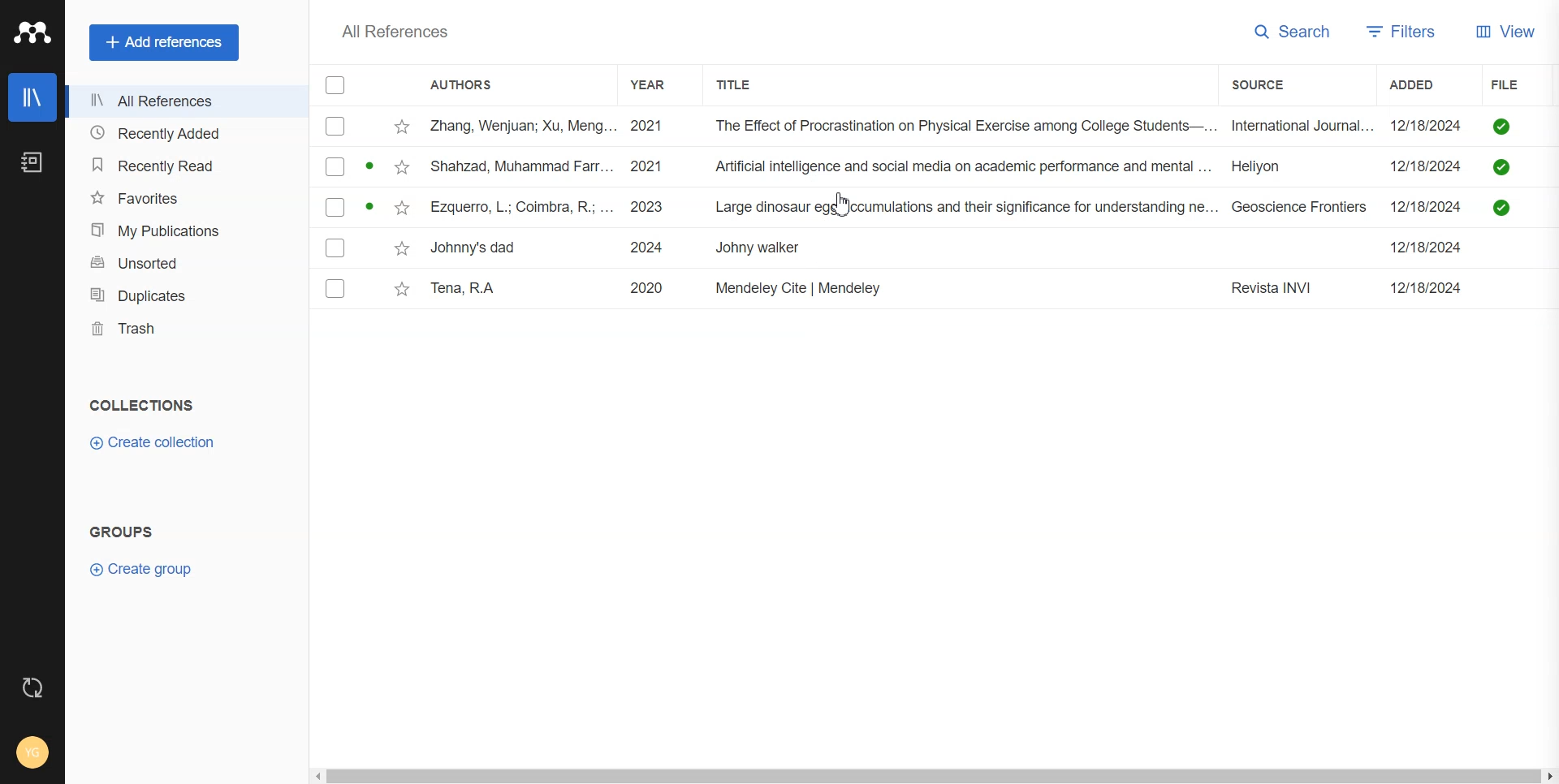 This screenshot has width=1559, height=784. I want to click on Year, so click(658, 84).